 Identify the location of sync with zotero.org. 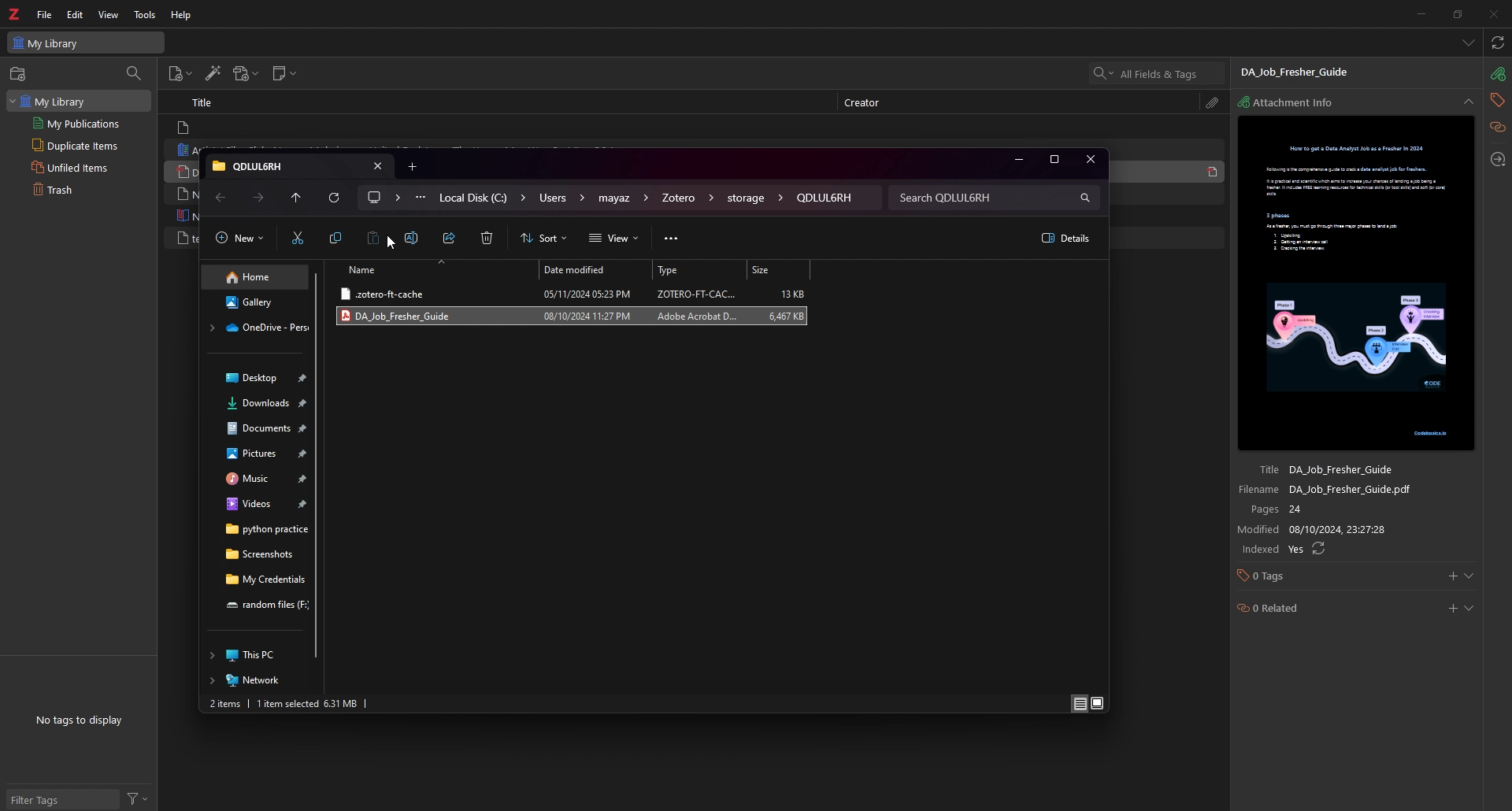
(1496, 43).